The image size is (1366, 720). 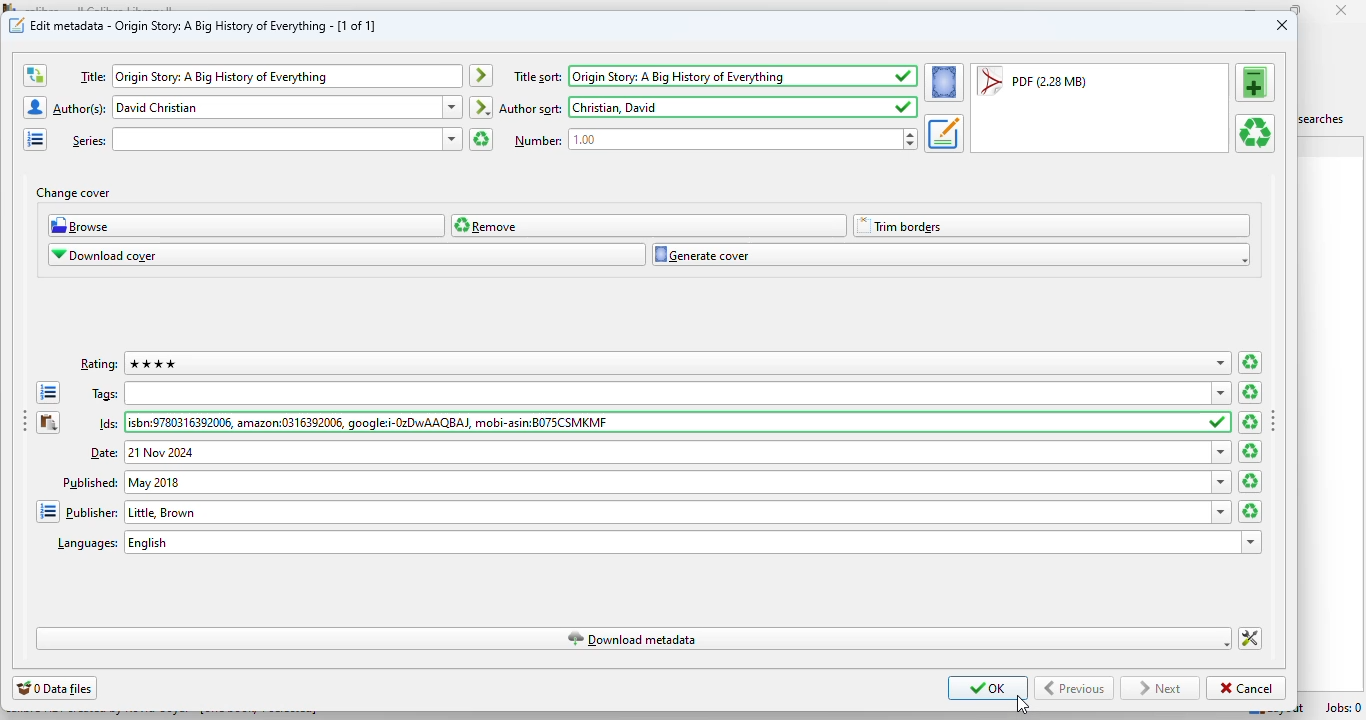 What do you see at coordinates (667, 392) in the screenshot?
I see `tags` at bounding box center [667, 392].